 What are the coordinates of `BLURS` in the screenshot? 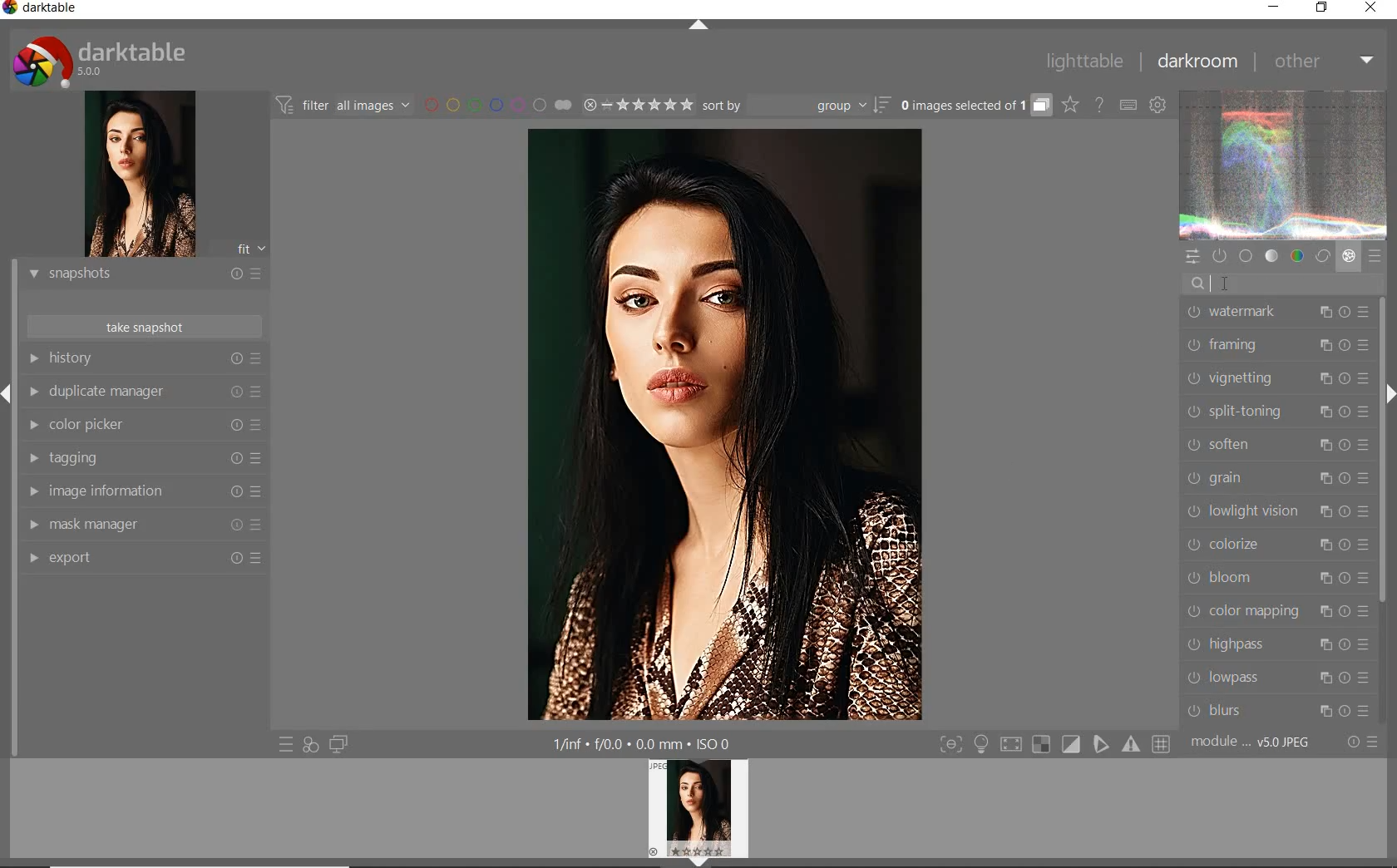 It's located at (1281, 710).